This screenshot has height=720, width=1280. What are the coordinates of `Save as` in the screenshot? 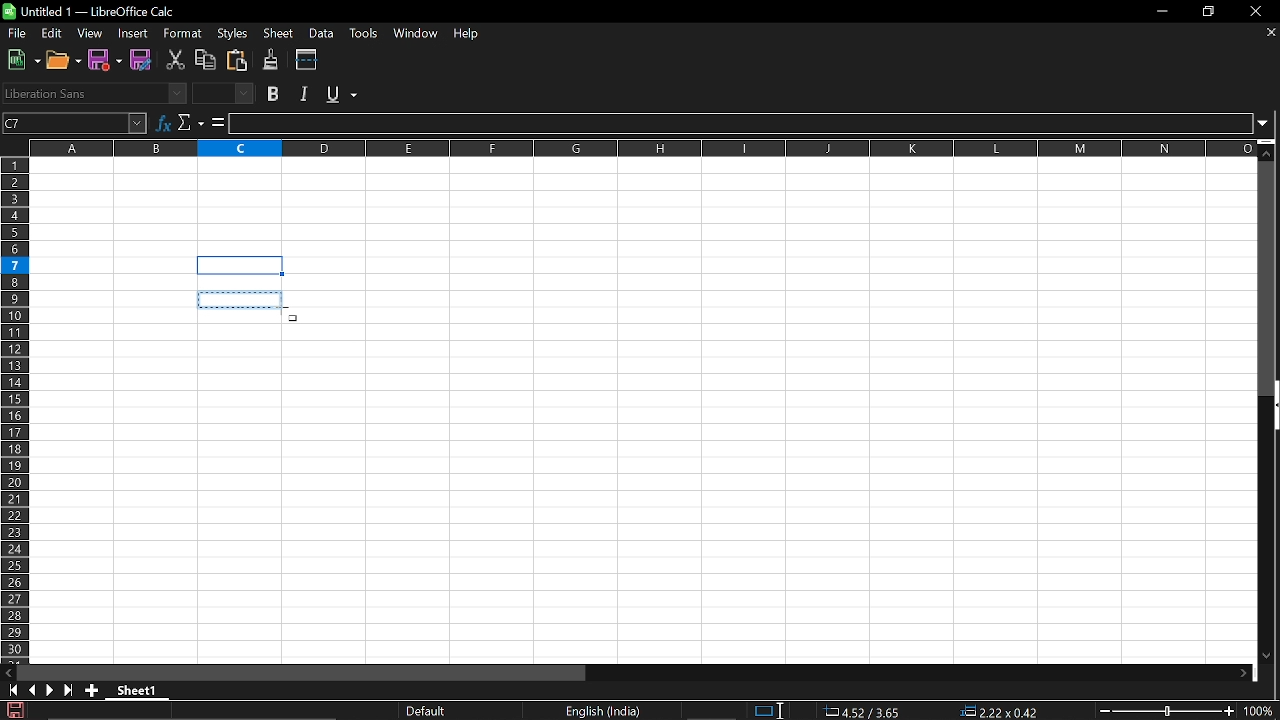 It's located at (142, 61).